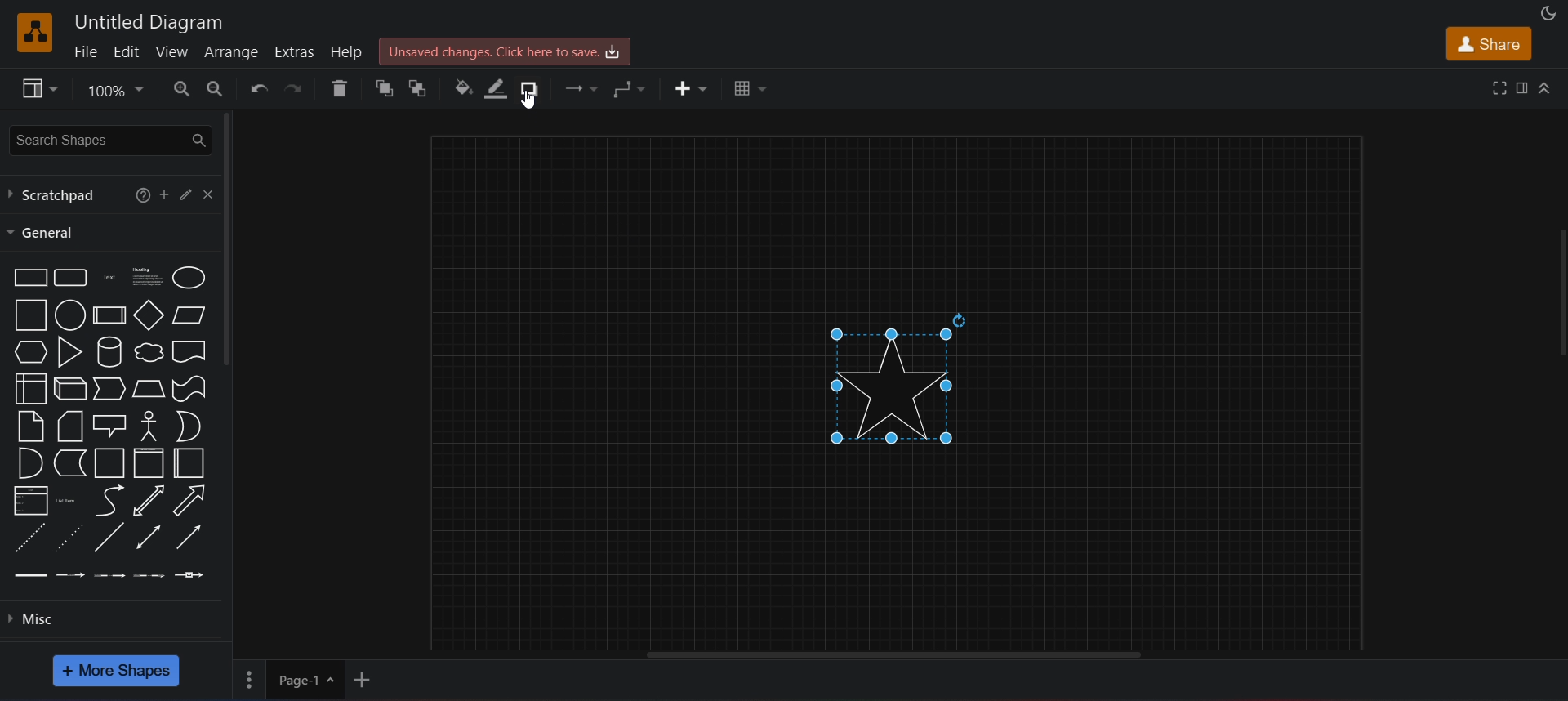  I want to click on appearance, so click(1550, 12).